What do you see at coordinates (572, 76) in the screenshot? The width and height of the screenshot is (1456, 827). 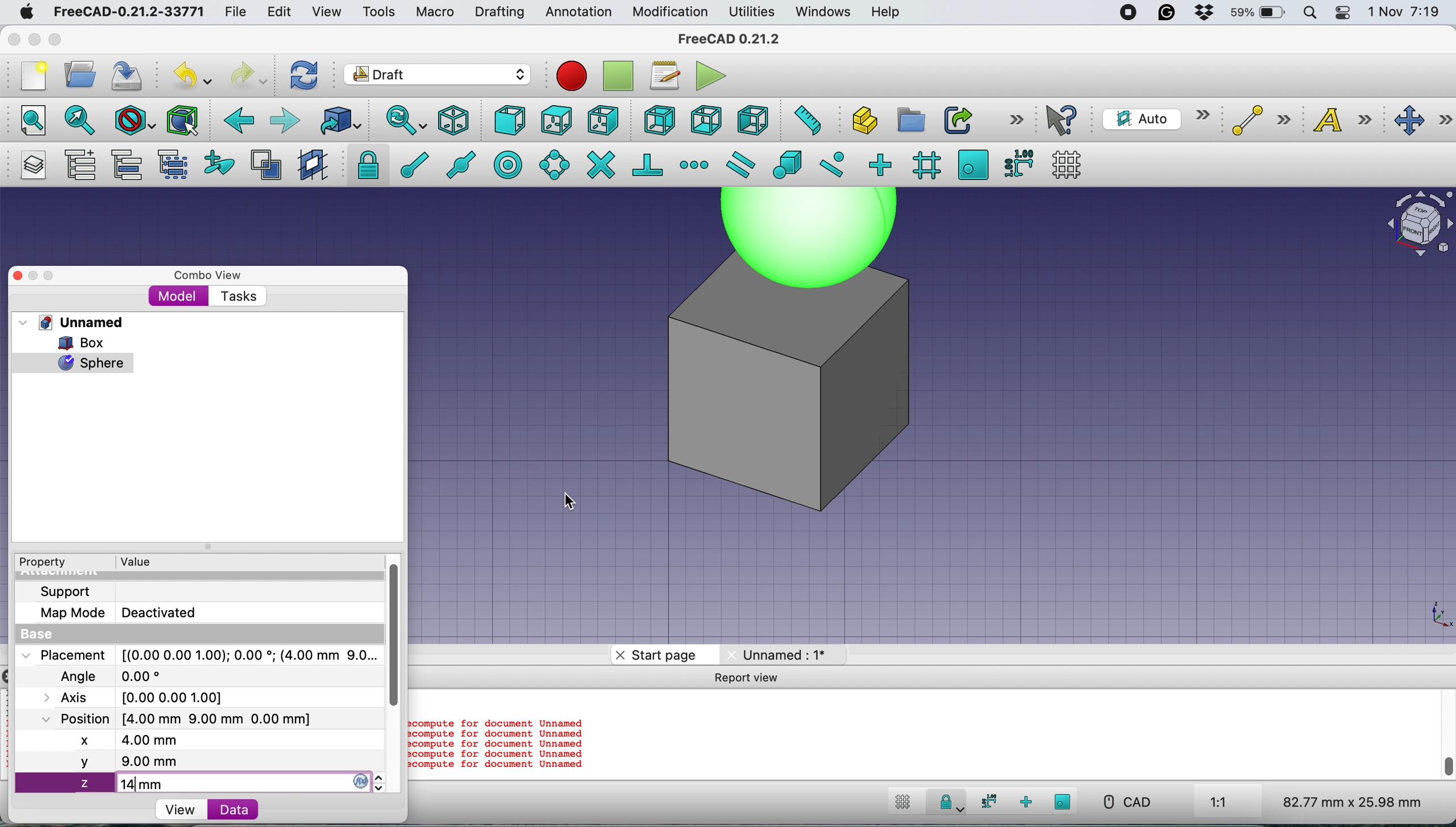 I see `record macros` at bounding box center [572, 76].